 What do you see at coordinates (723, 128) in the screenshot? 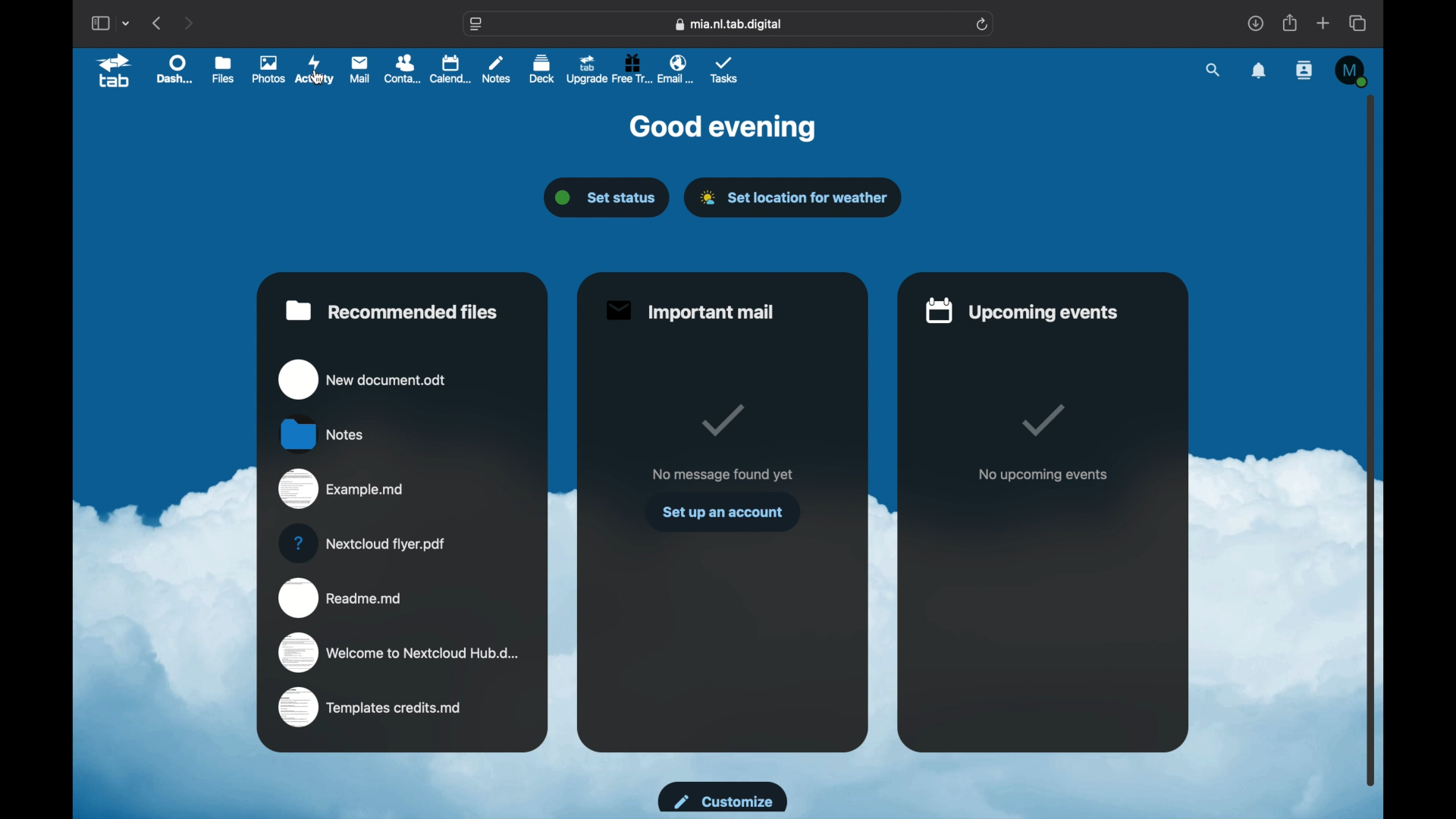
I see `good evening` at bounding box center [723, 128].